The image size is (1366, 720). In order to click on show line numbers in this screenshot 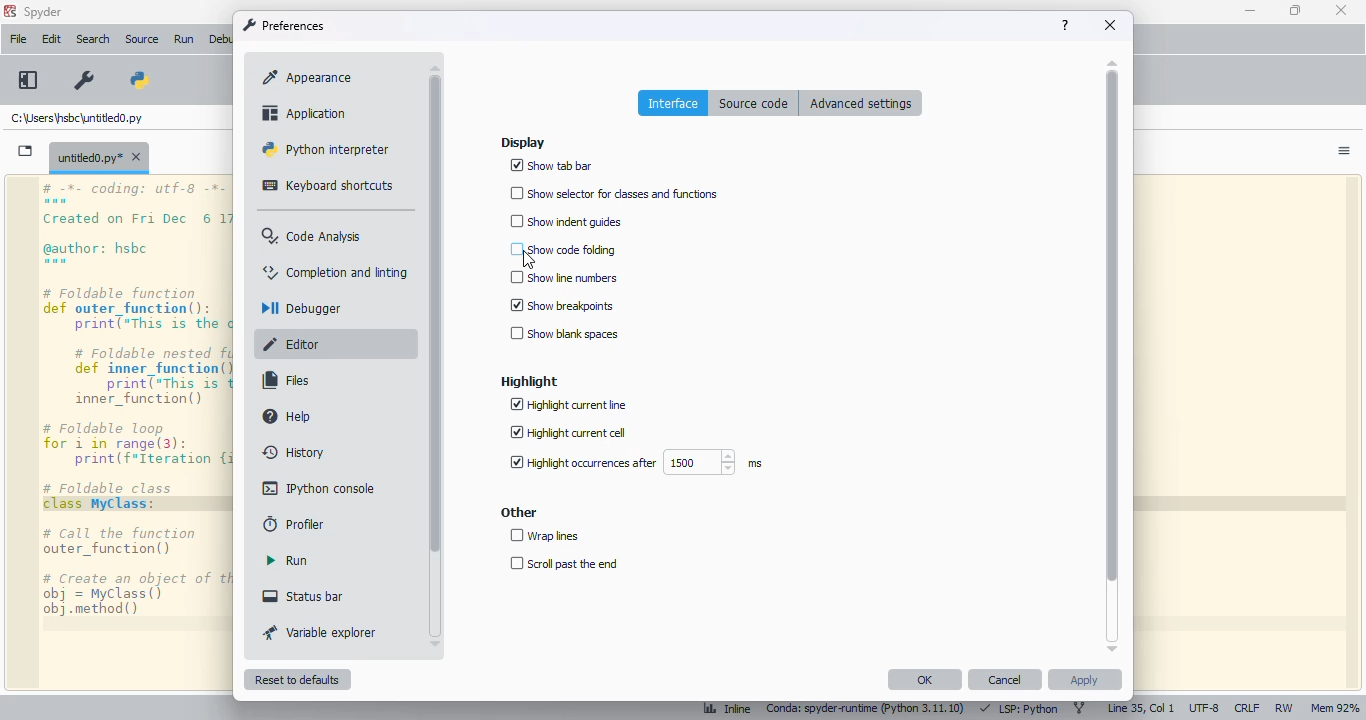, I will do `click(563, 278)`.